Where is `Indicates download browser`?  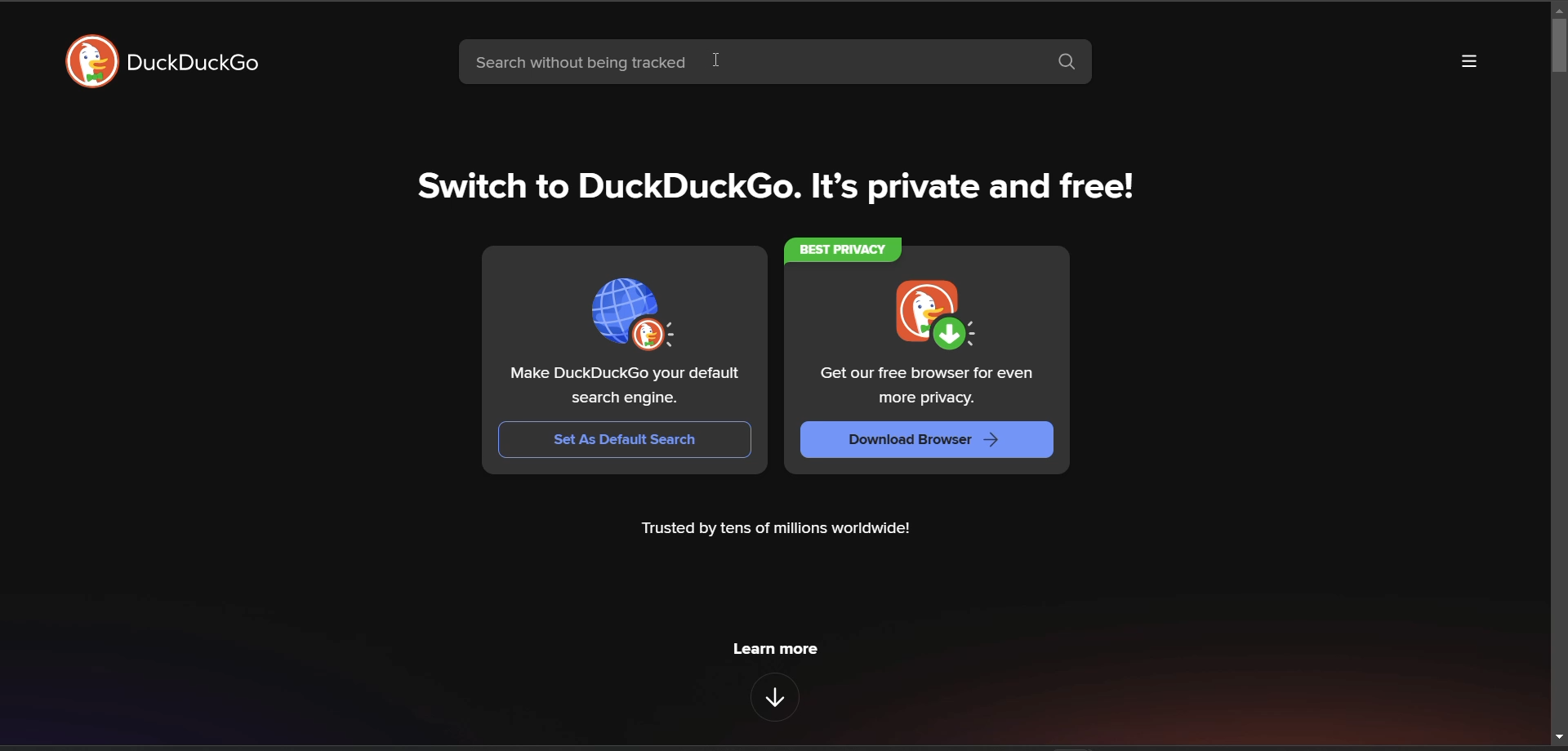
Indicates download browser is located at coordinates (936, 315).